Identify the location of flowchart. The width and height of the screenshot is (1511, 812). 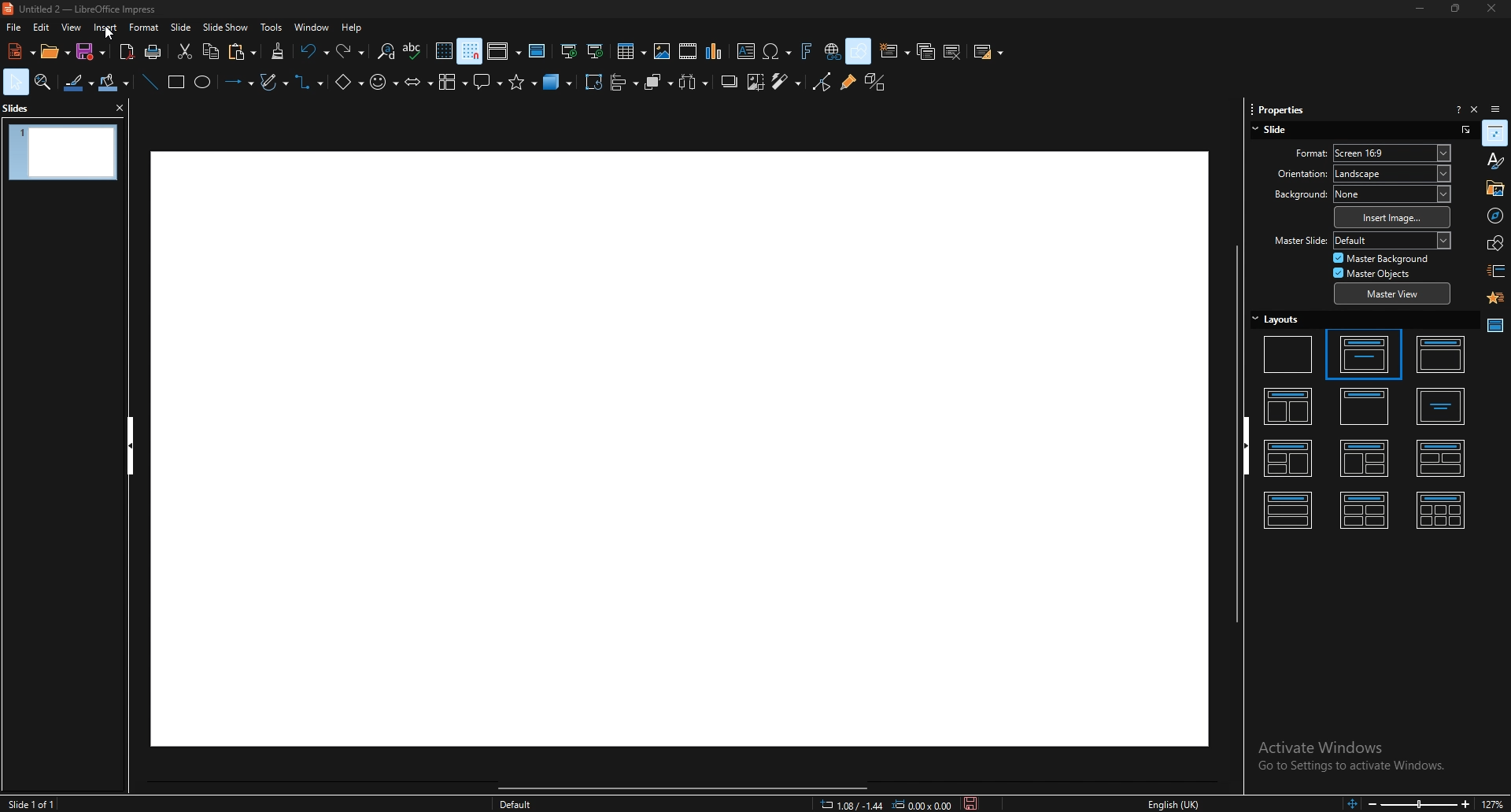
(452, 83).